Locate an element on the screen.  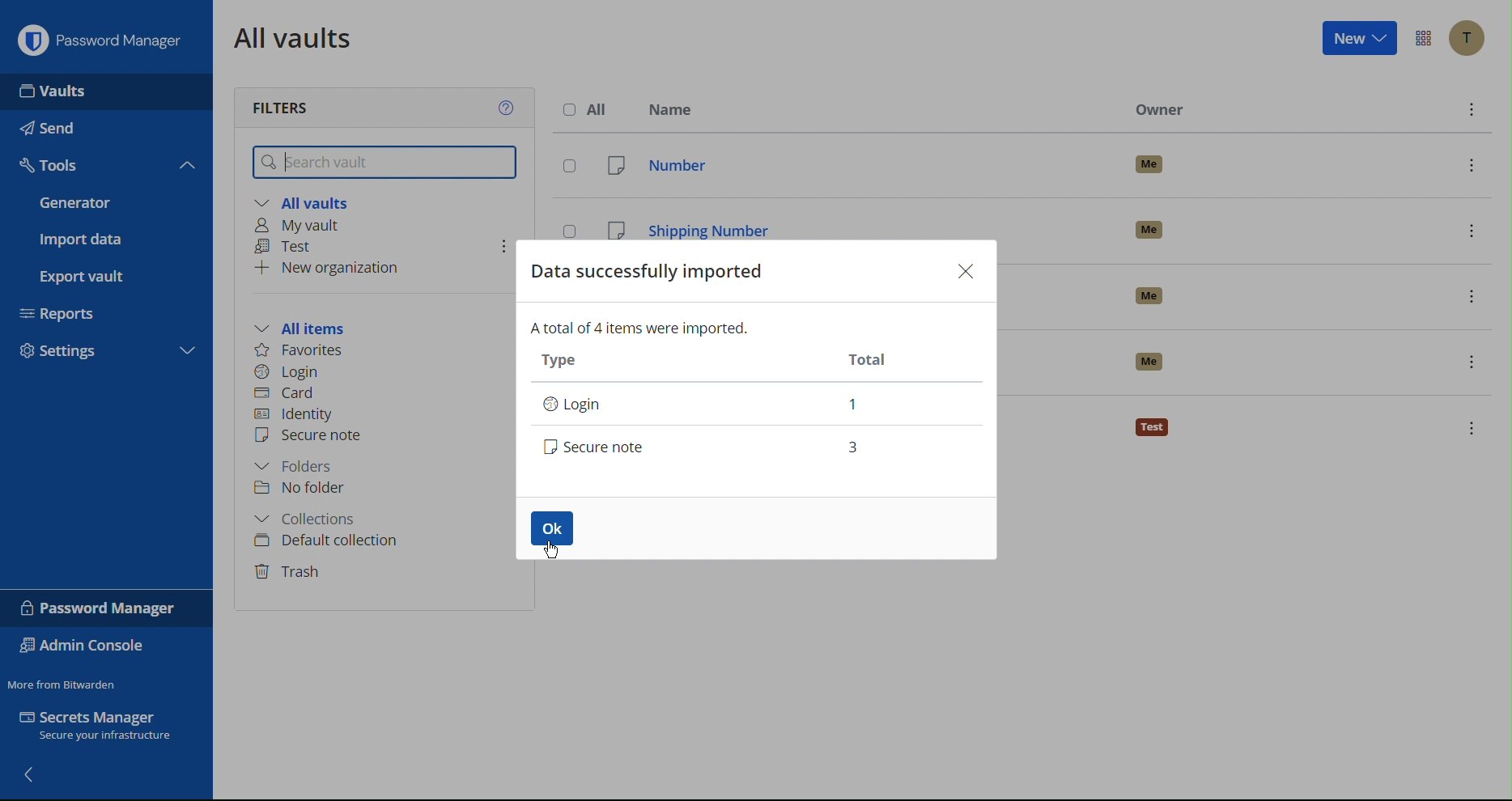
Send is located at coordinates (104, 128).